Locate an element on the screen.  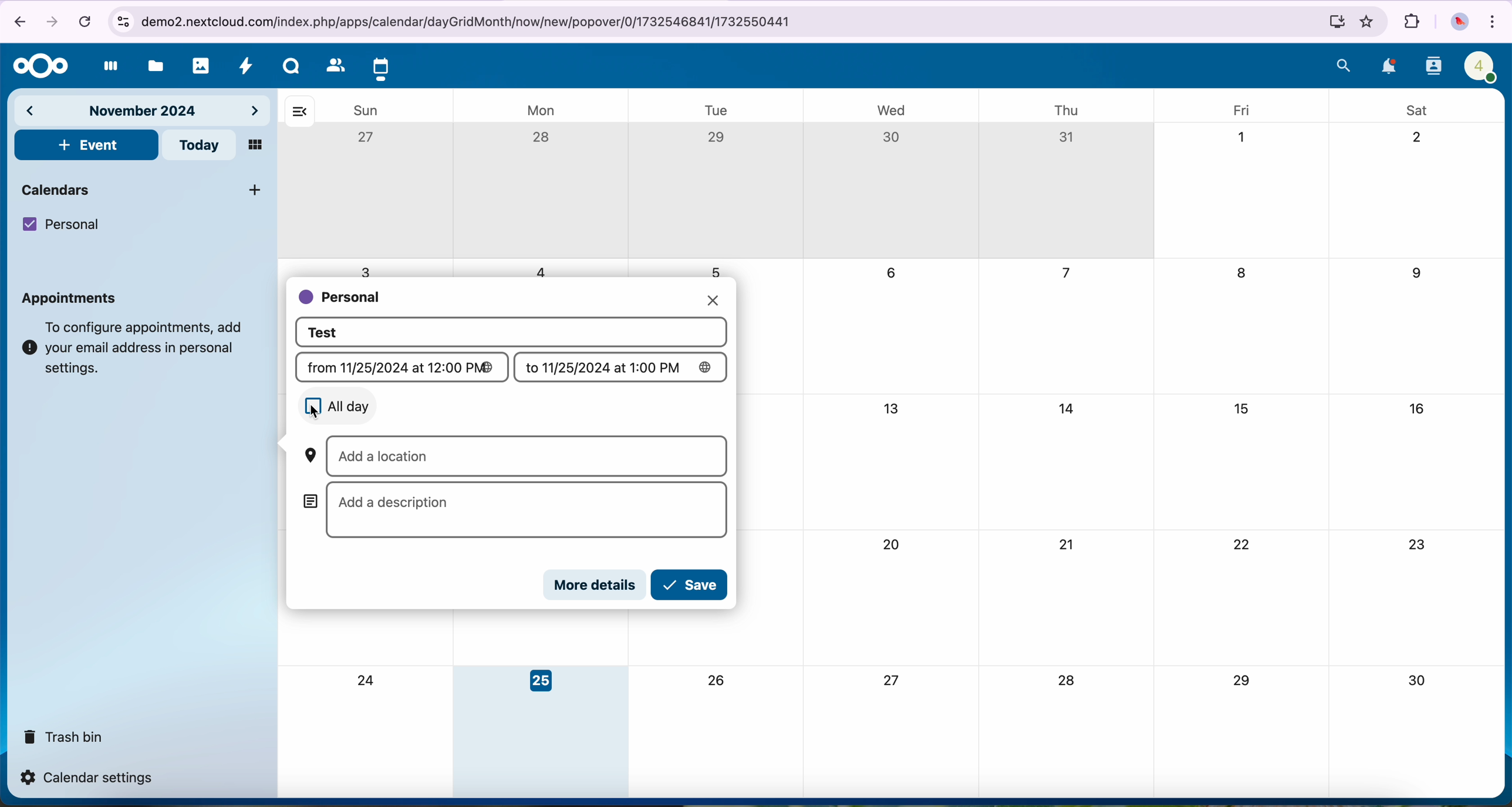
5 is located at coordinates (718, 271).